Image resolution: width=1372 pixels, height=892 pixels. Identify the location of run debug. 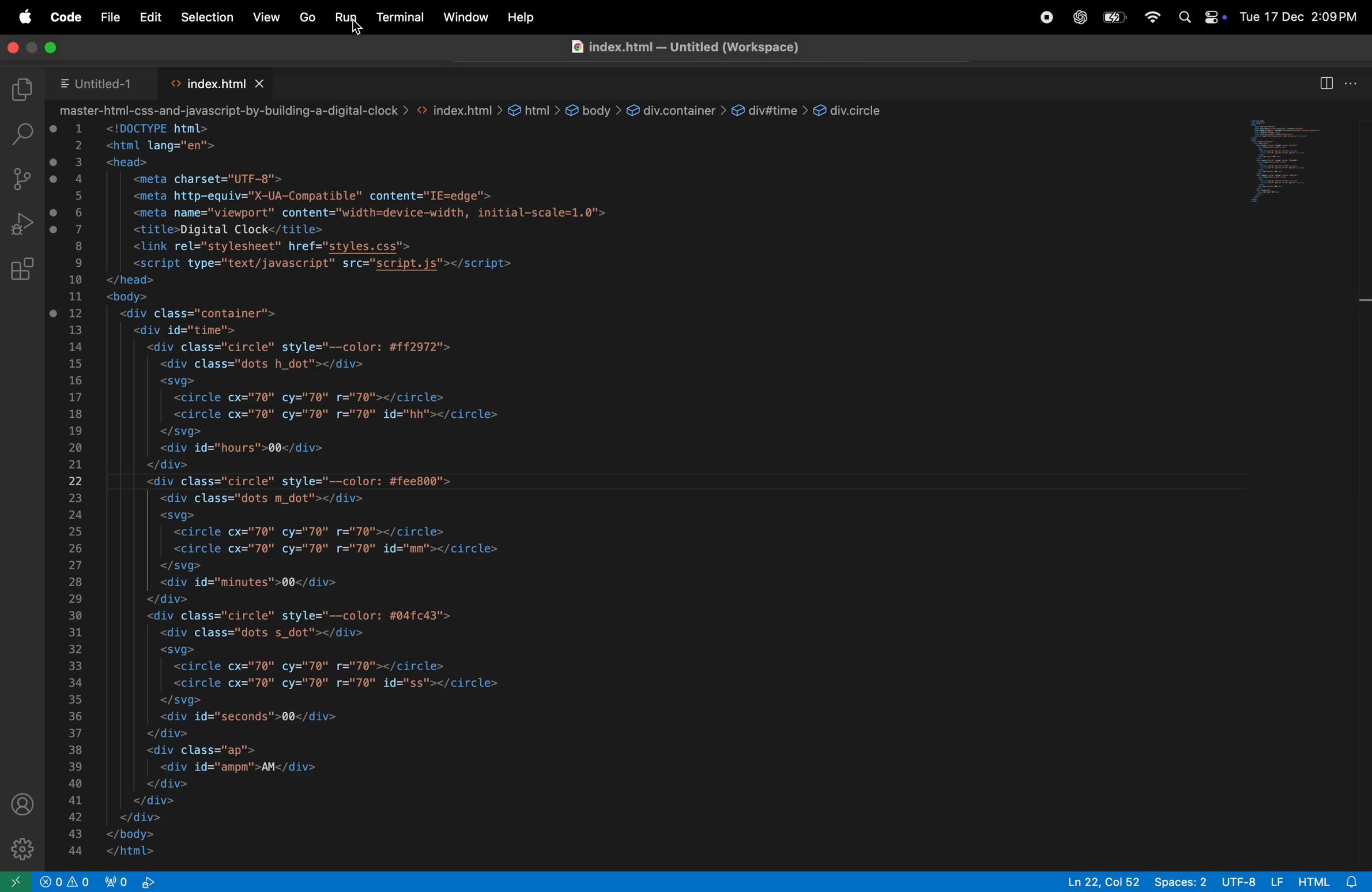
(21, 224).